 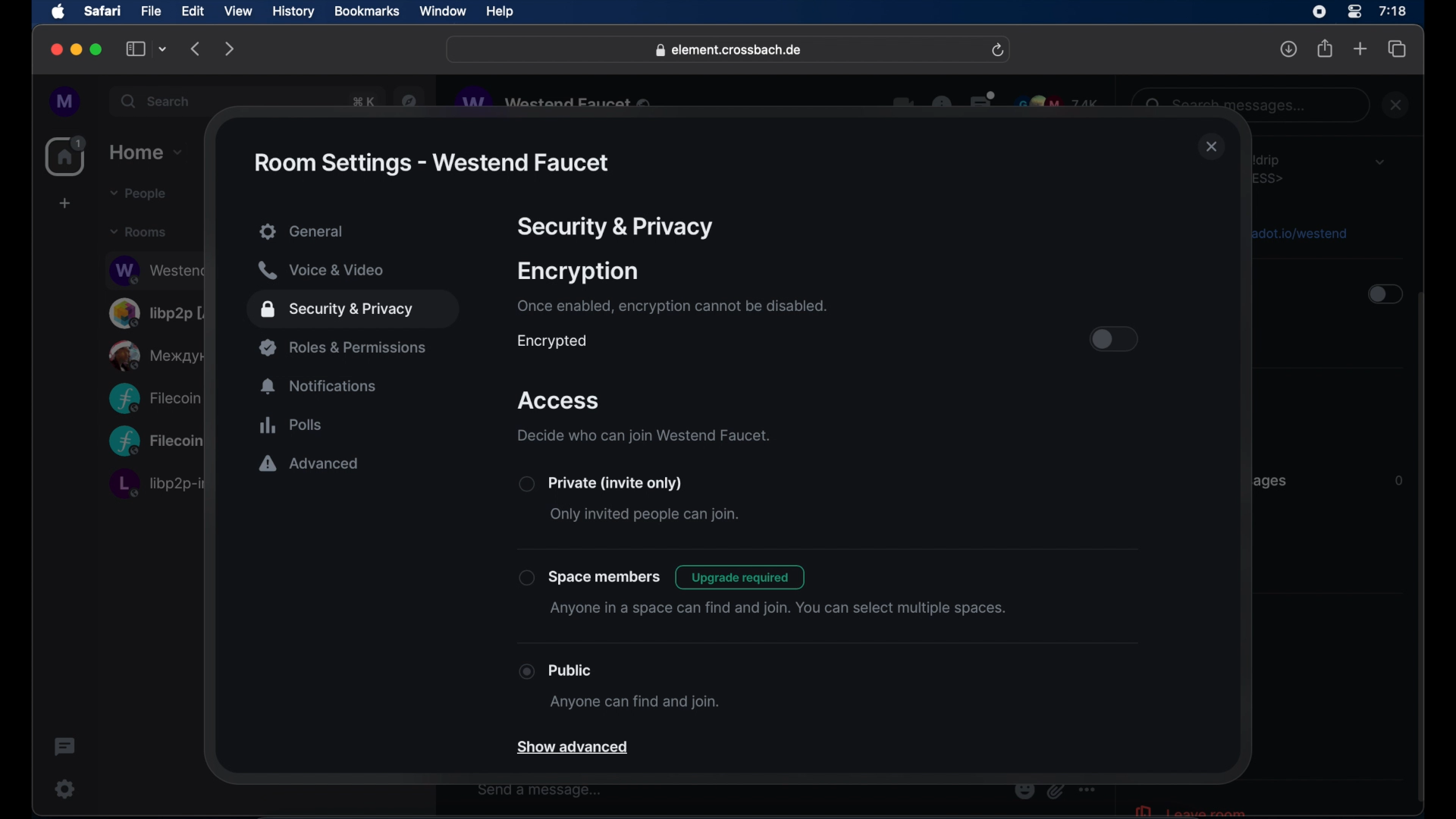 I want to click on obscure, so click(x=154, y=398).